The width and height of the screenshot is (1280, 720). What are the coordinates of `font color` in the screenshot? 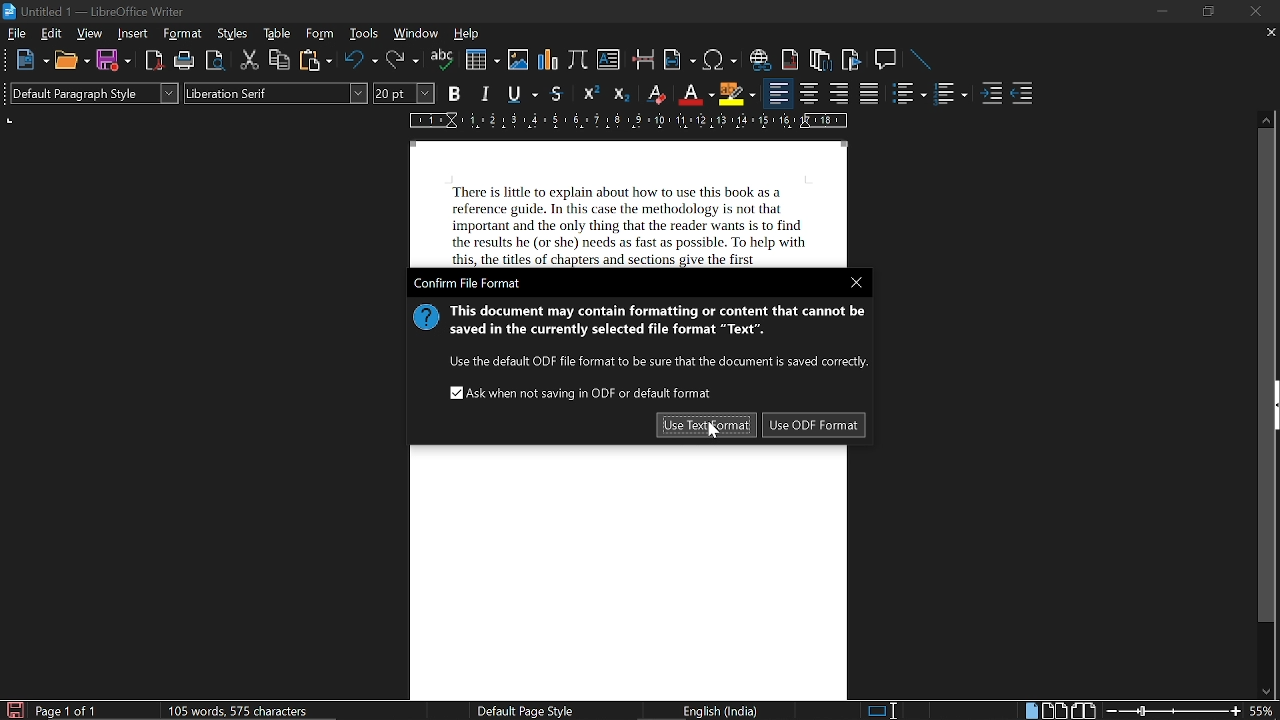 It's located at (694, 95).